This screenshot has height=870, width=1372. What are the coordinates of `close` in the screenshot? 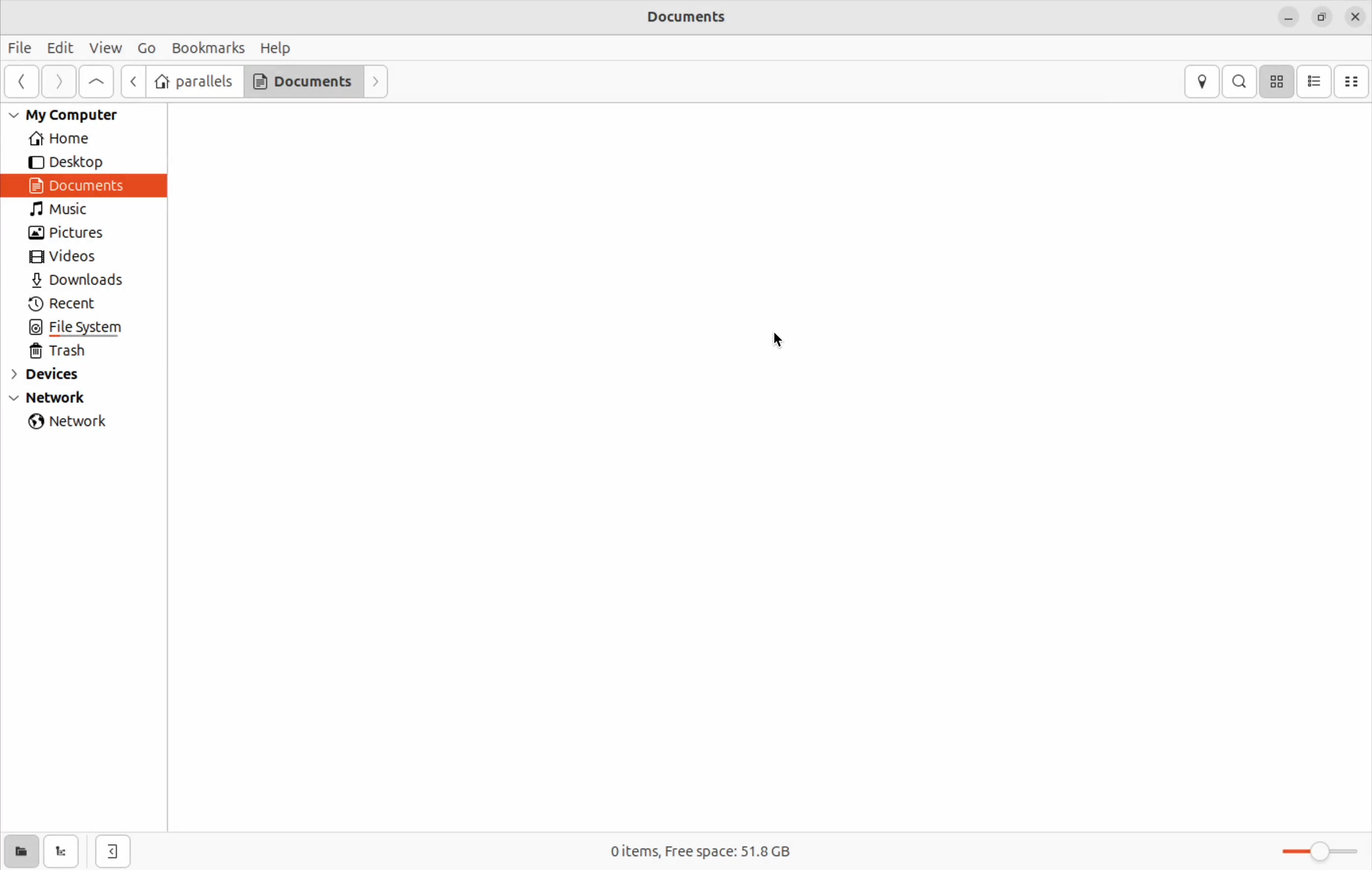 It's located at (1354, 18).